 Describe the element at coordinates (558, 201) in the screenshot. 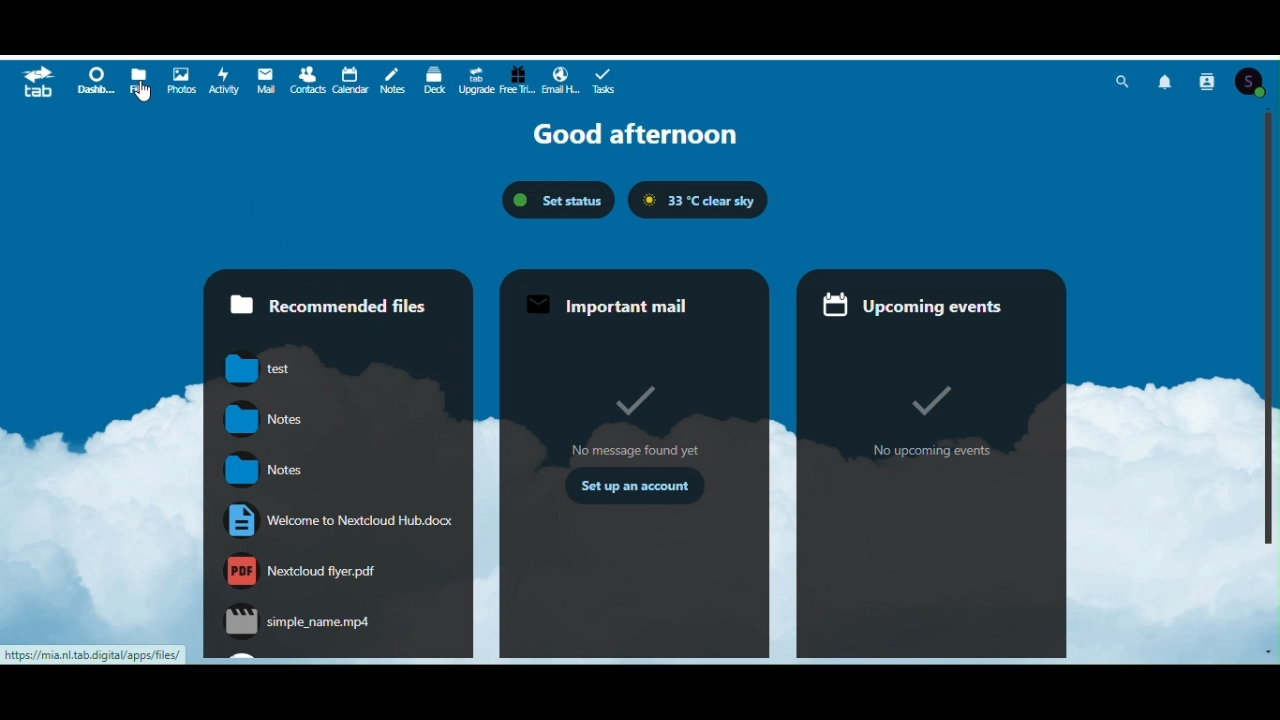

I see `Set status` at that location.